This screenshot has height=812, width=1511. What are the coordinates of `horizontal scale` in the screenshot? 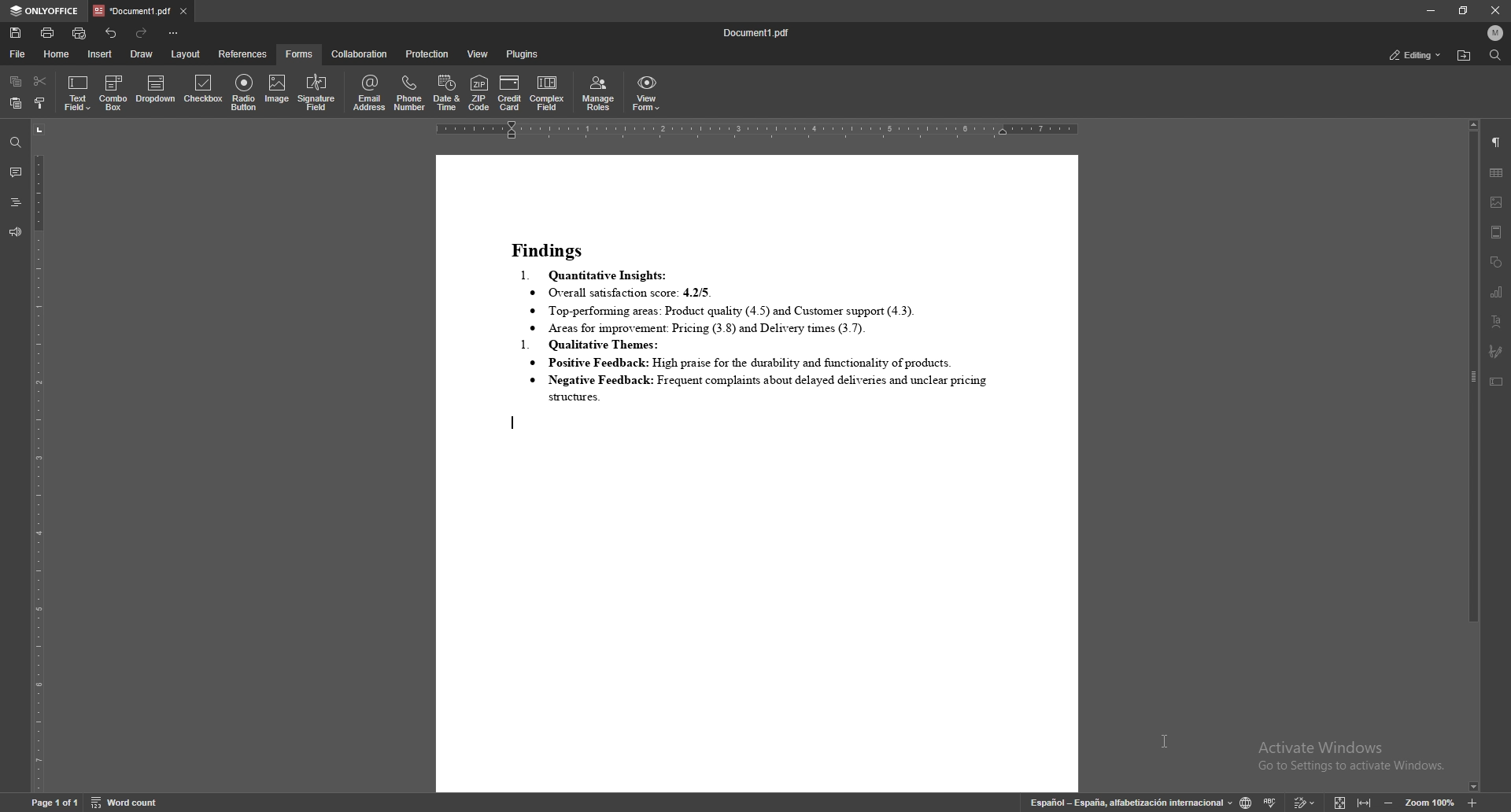 It's located at (757, 131).